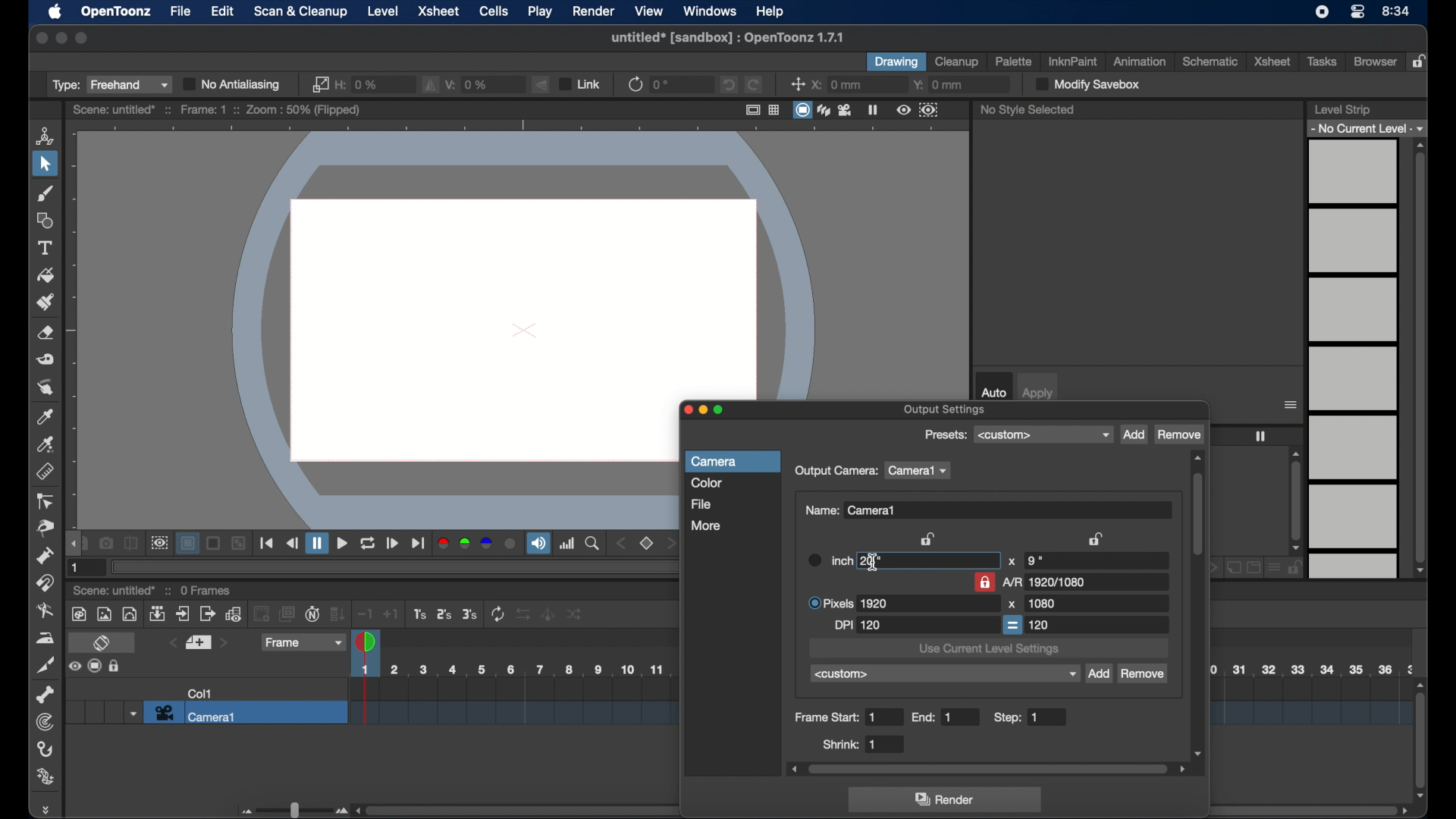 Image resolution: width=1456 pixels, height=819 pixels. Describe the element at coordinates (575, 613) in the screenshot. I see `` at that location.